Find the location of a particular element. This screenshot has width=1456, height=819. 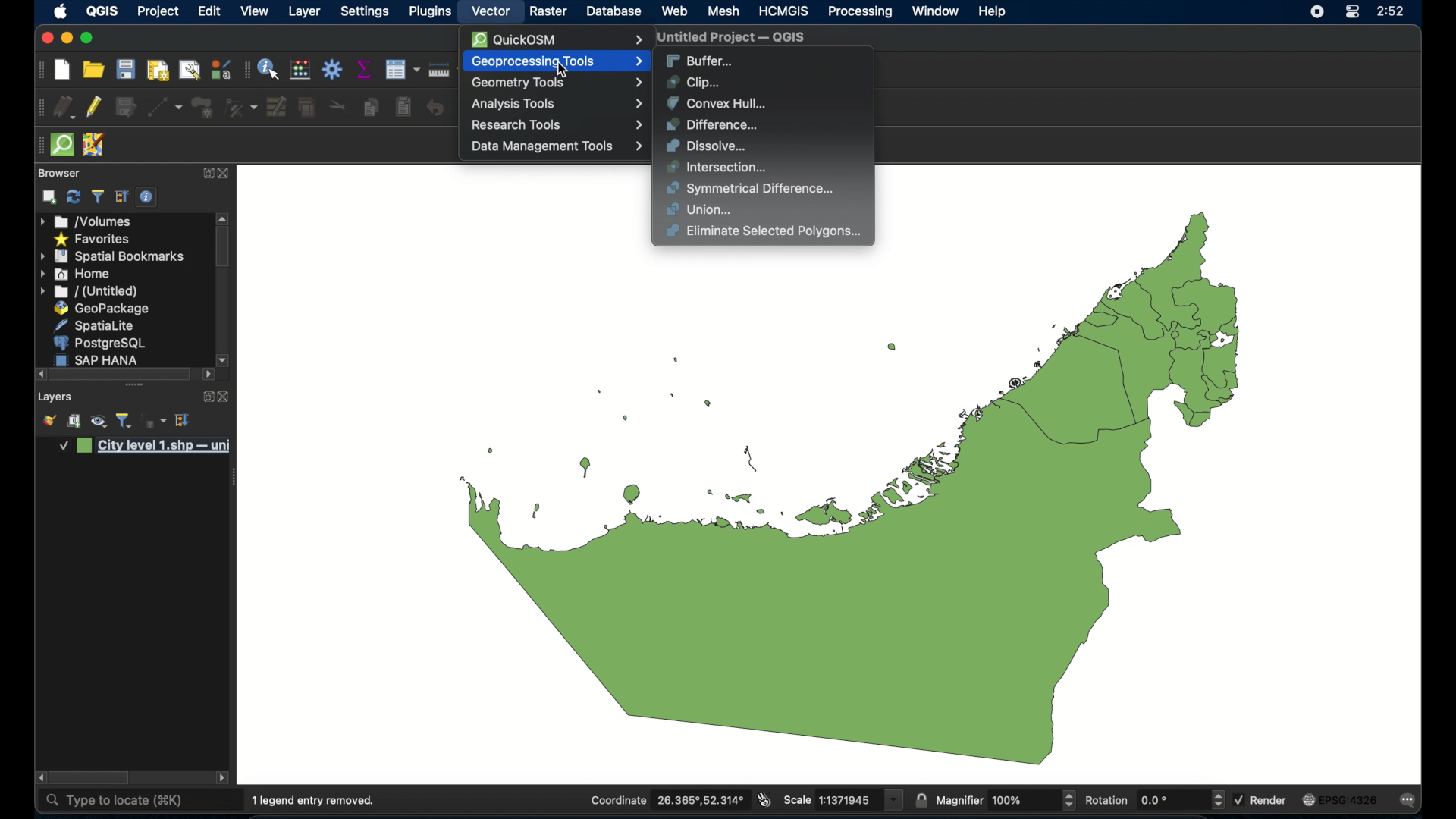

sap hana is located at coordinates (100, 359).